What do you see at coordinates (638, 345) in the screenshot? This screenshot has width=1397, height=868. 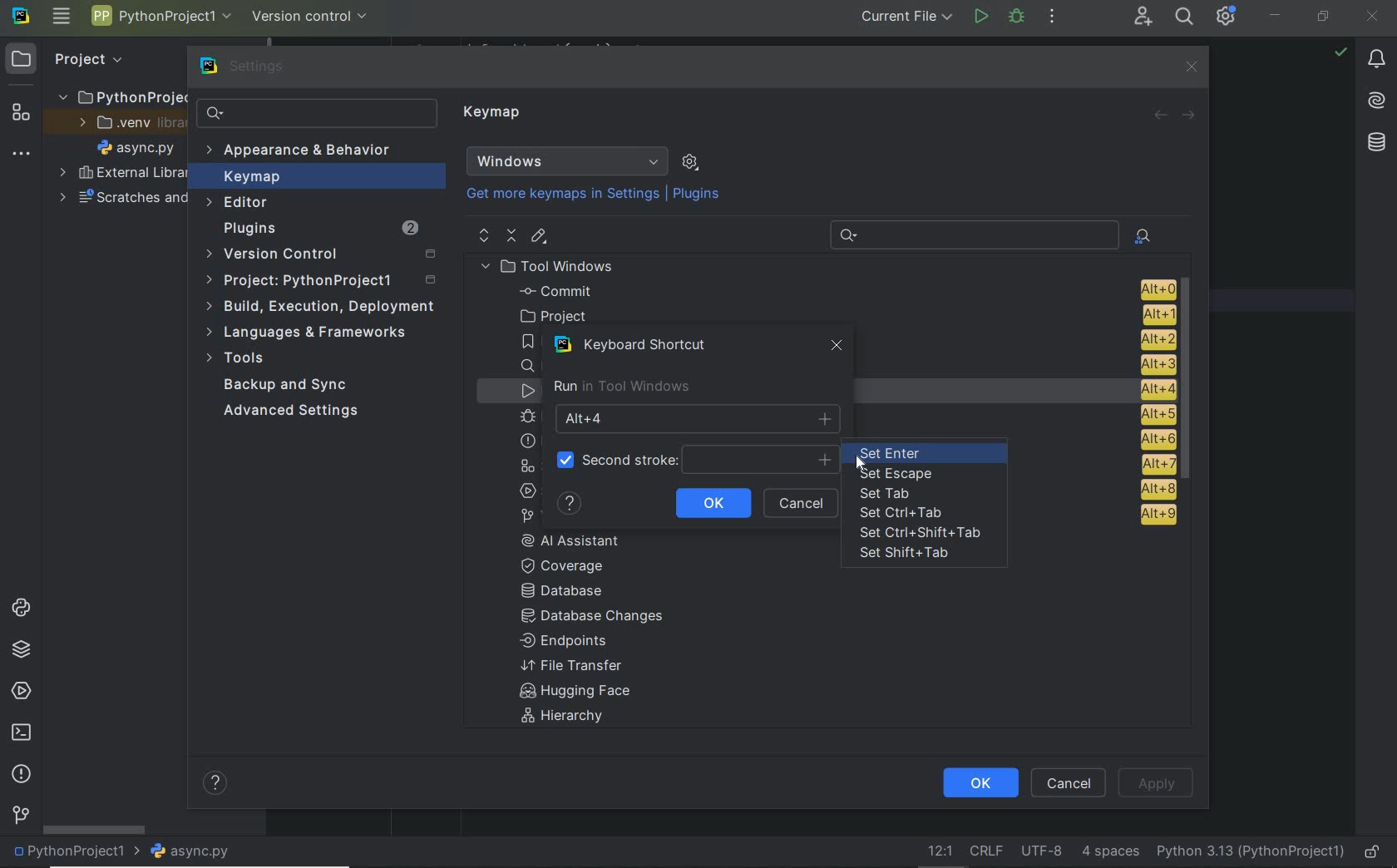 I see `Keyboard Shortcut` at bounding box center [638, 345].